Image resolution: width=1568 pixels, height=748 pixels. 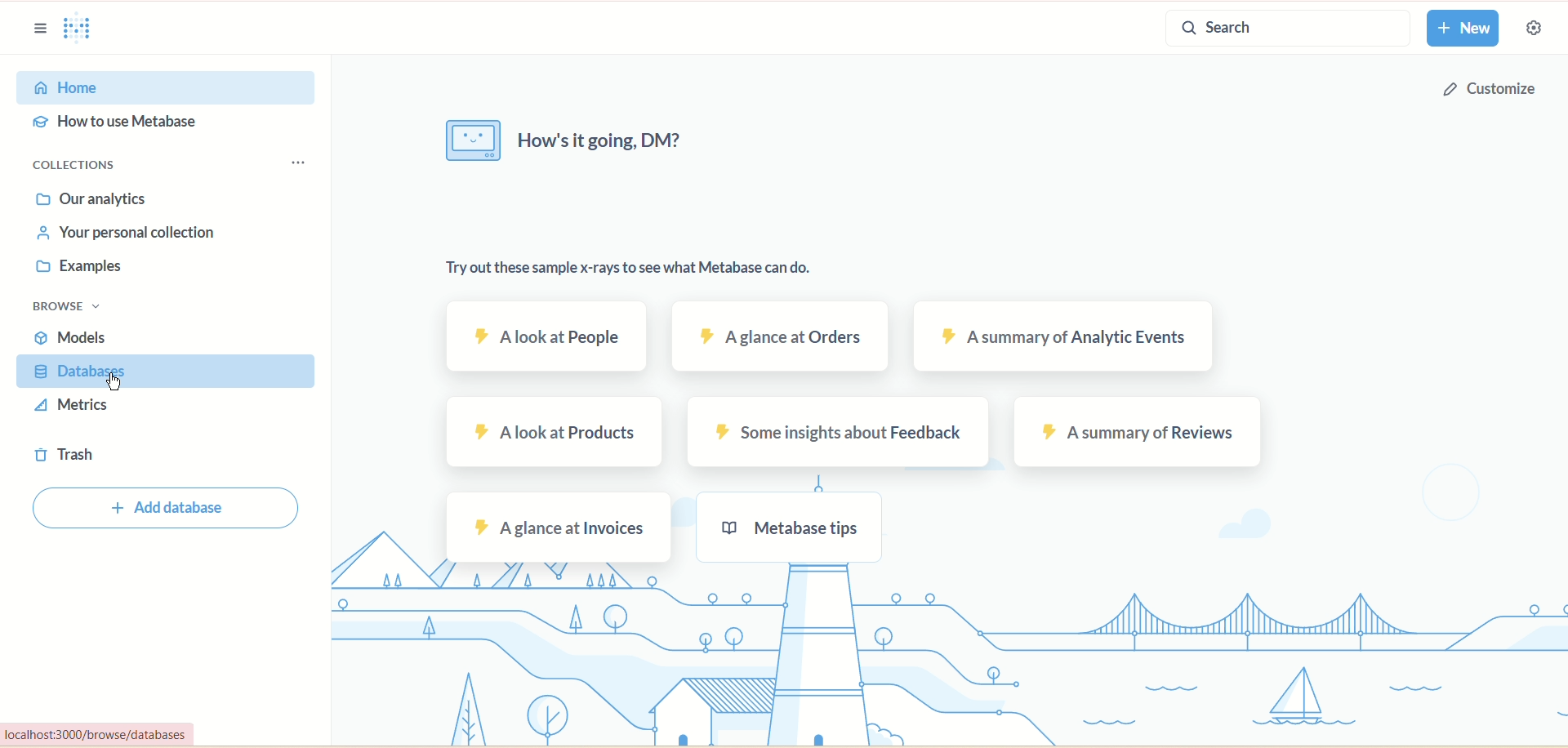 I want to click on metabase tips, so click(x=788, y=525).